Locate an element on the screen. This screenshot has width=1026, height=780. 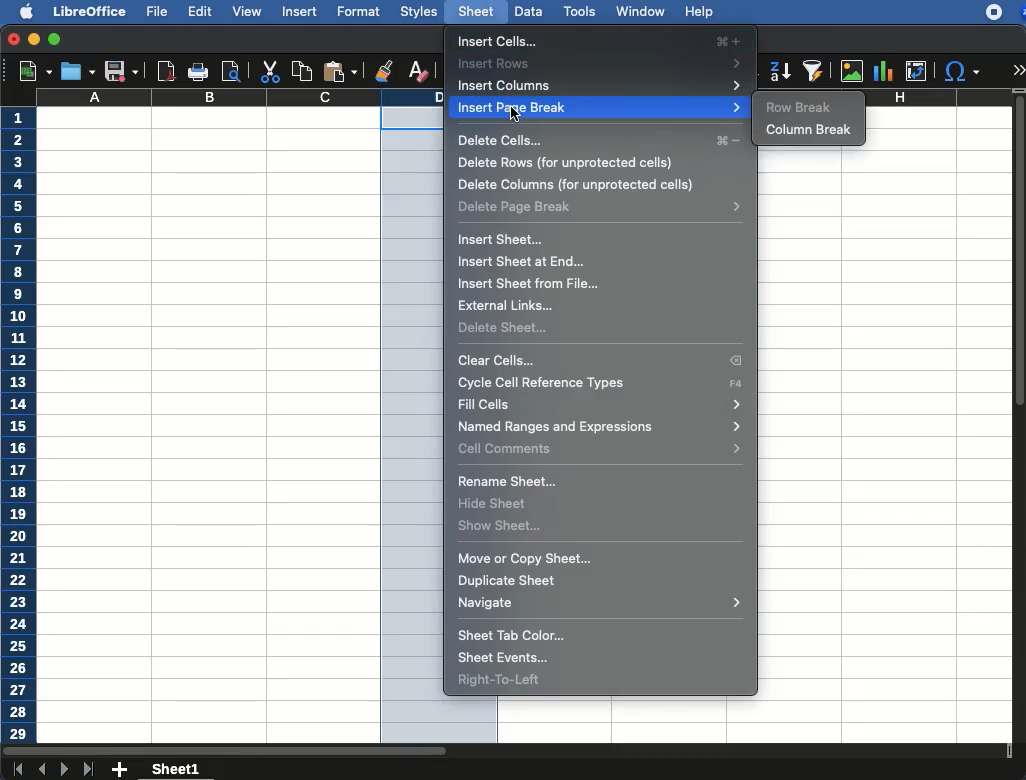
rename sheet is located at coordinates (508, 482).